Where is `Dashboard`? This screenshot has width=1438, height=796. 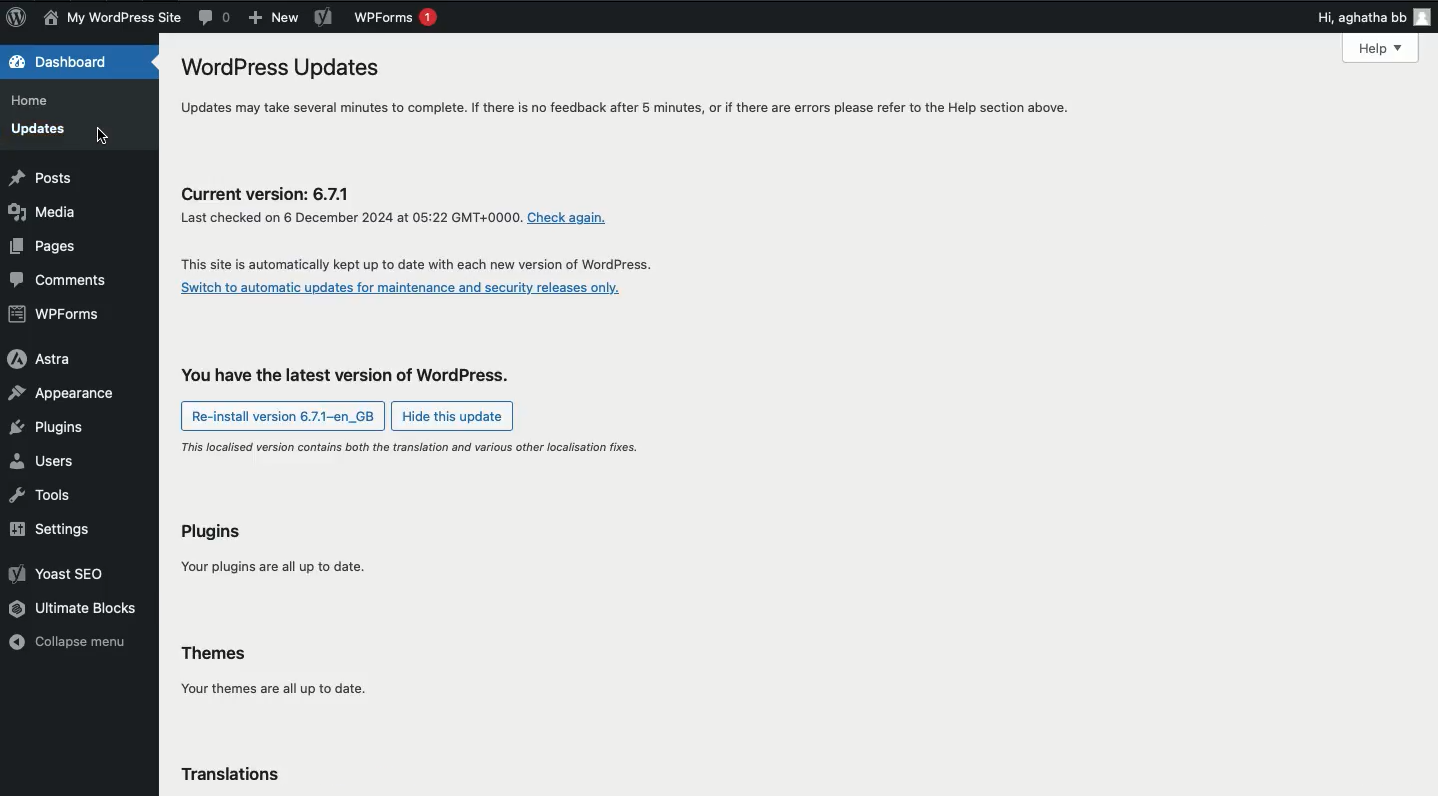 Dashboard is located at coordinates (63, 61).